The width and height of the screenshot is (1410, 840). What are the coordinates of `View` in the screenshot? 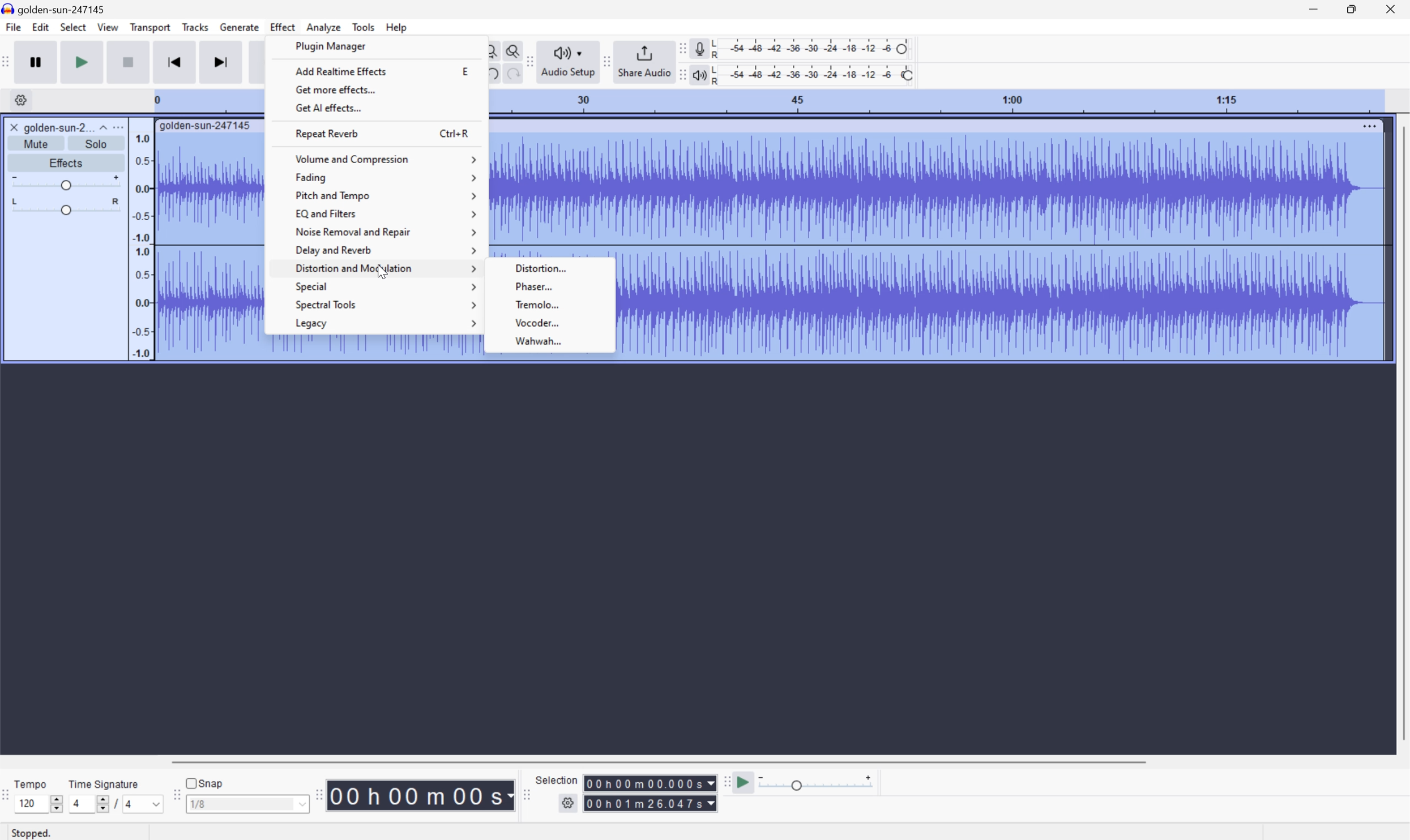 It's located at (109, 28).